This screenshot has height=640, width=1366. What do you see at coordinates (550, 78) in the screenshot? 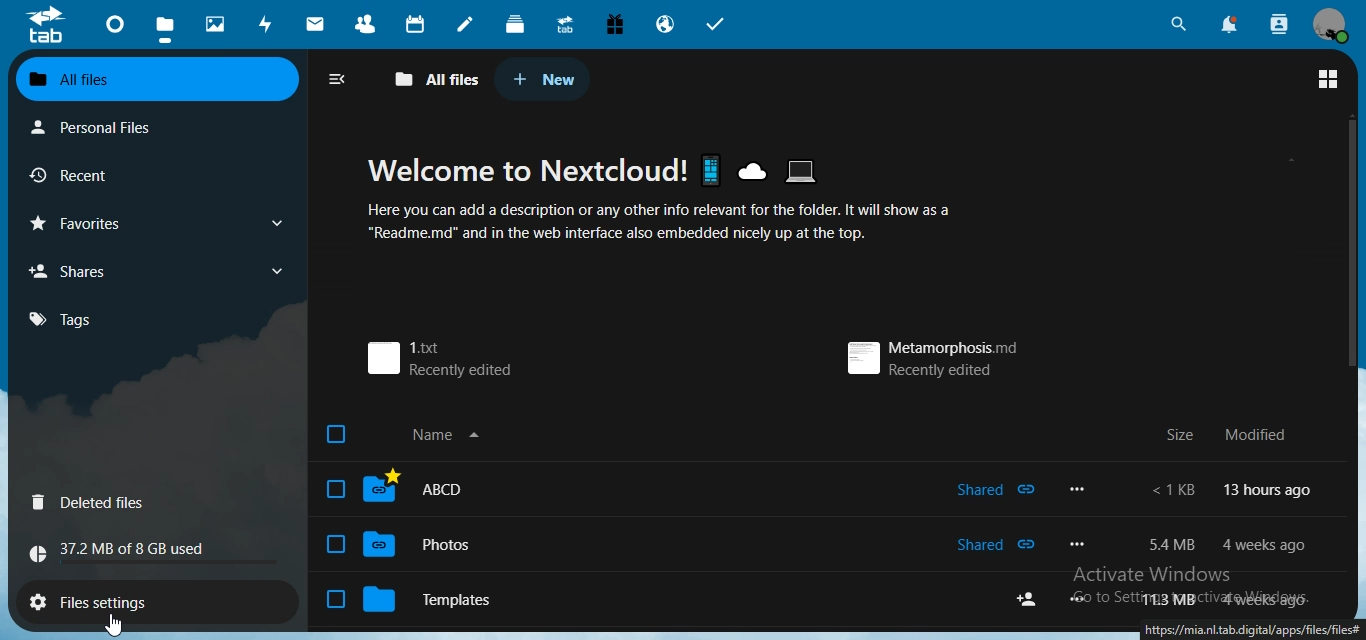
I see `new` at bounding box center [550, 78].